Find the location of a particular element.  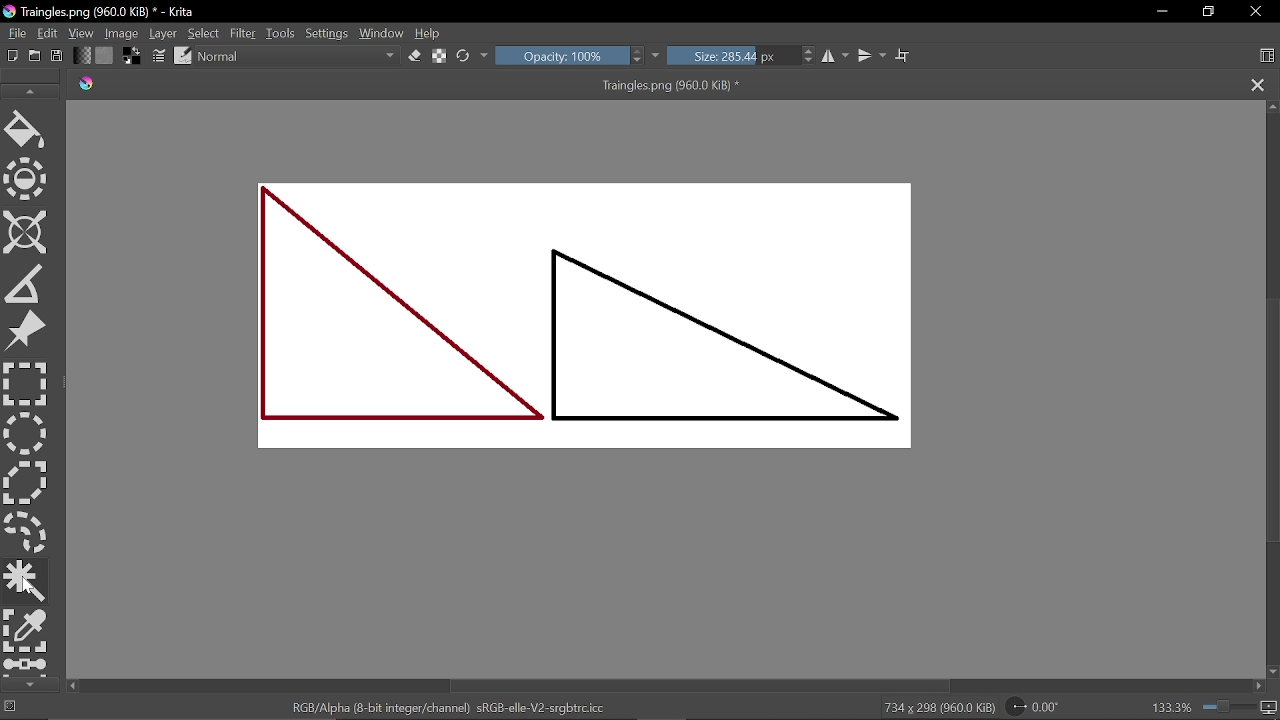

Opacity is located at coordinates (560, 55).